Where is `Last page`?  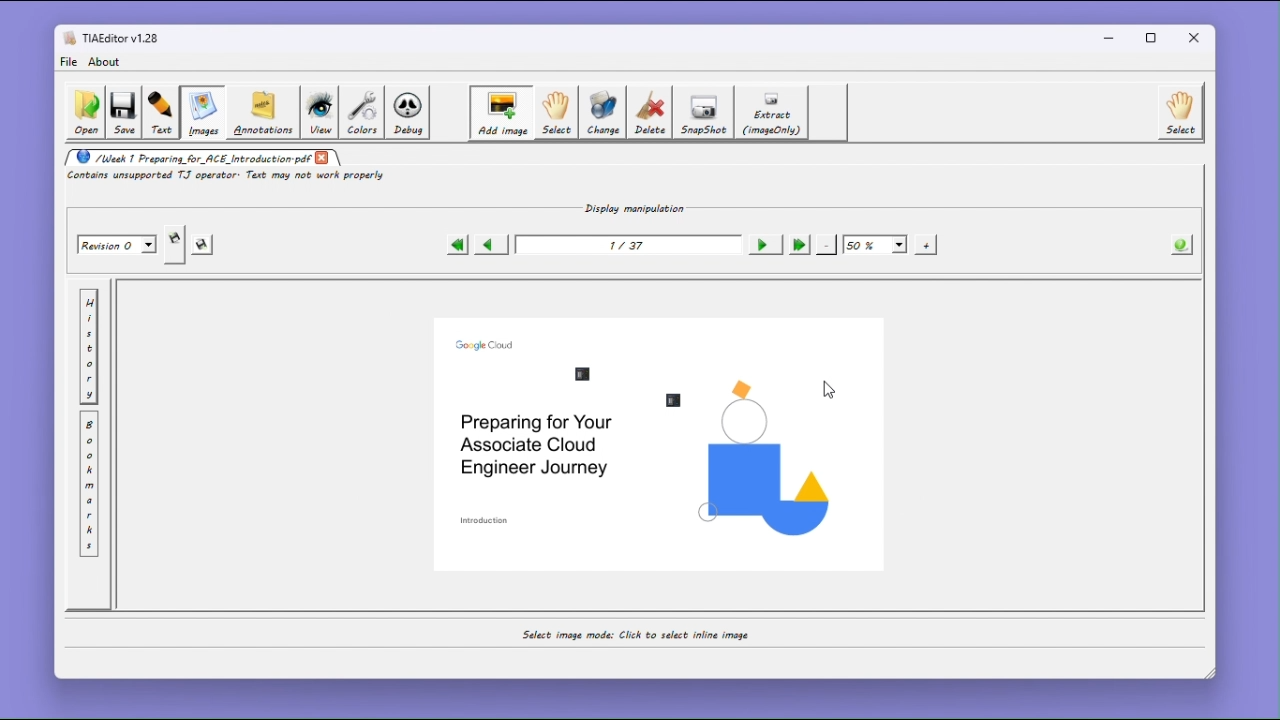 Last page is located at coordinates (798, 245).